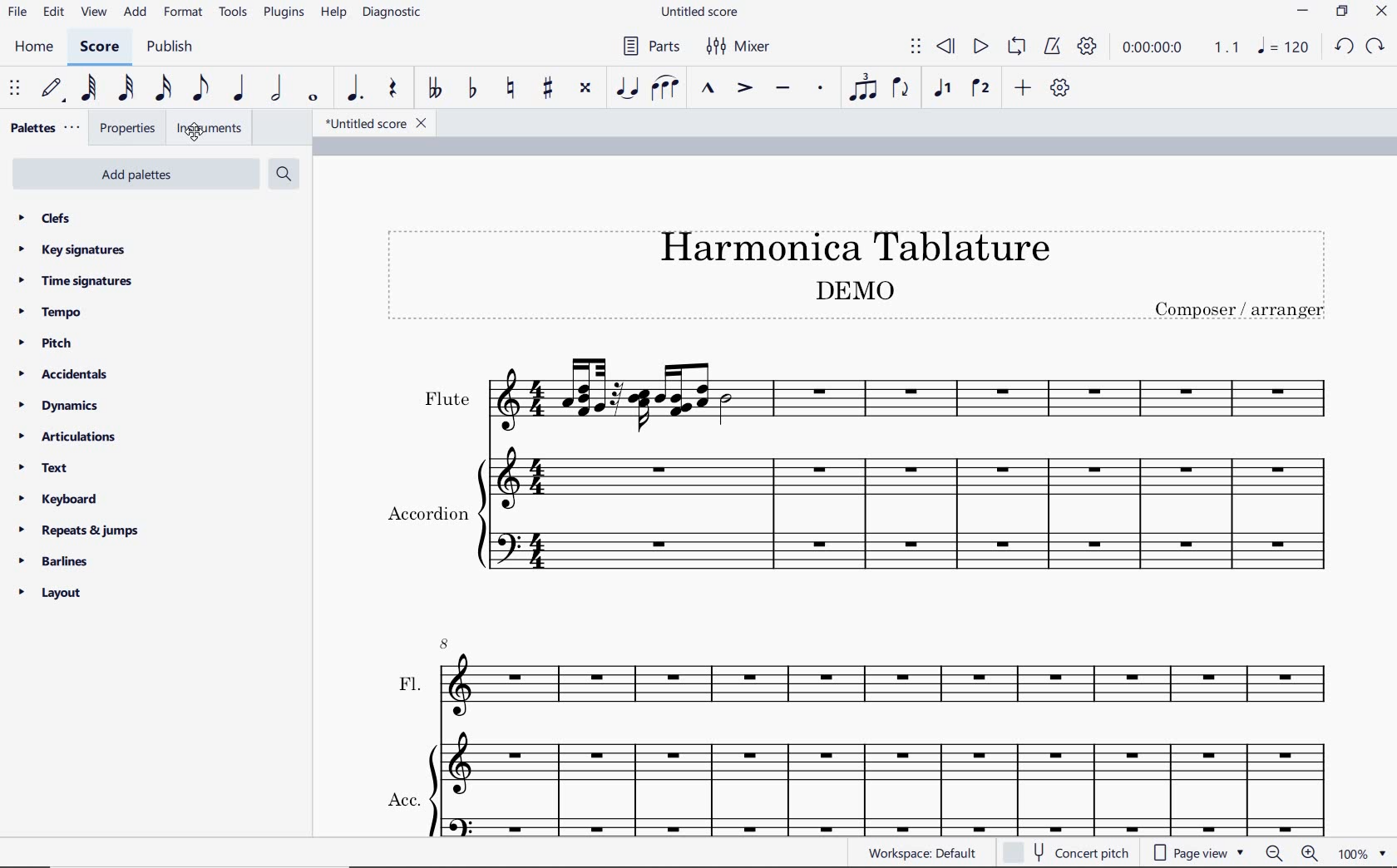  Describe the element at coordinates (1021, 89) in the screenshot. I see `add` at that location.